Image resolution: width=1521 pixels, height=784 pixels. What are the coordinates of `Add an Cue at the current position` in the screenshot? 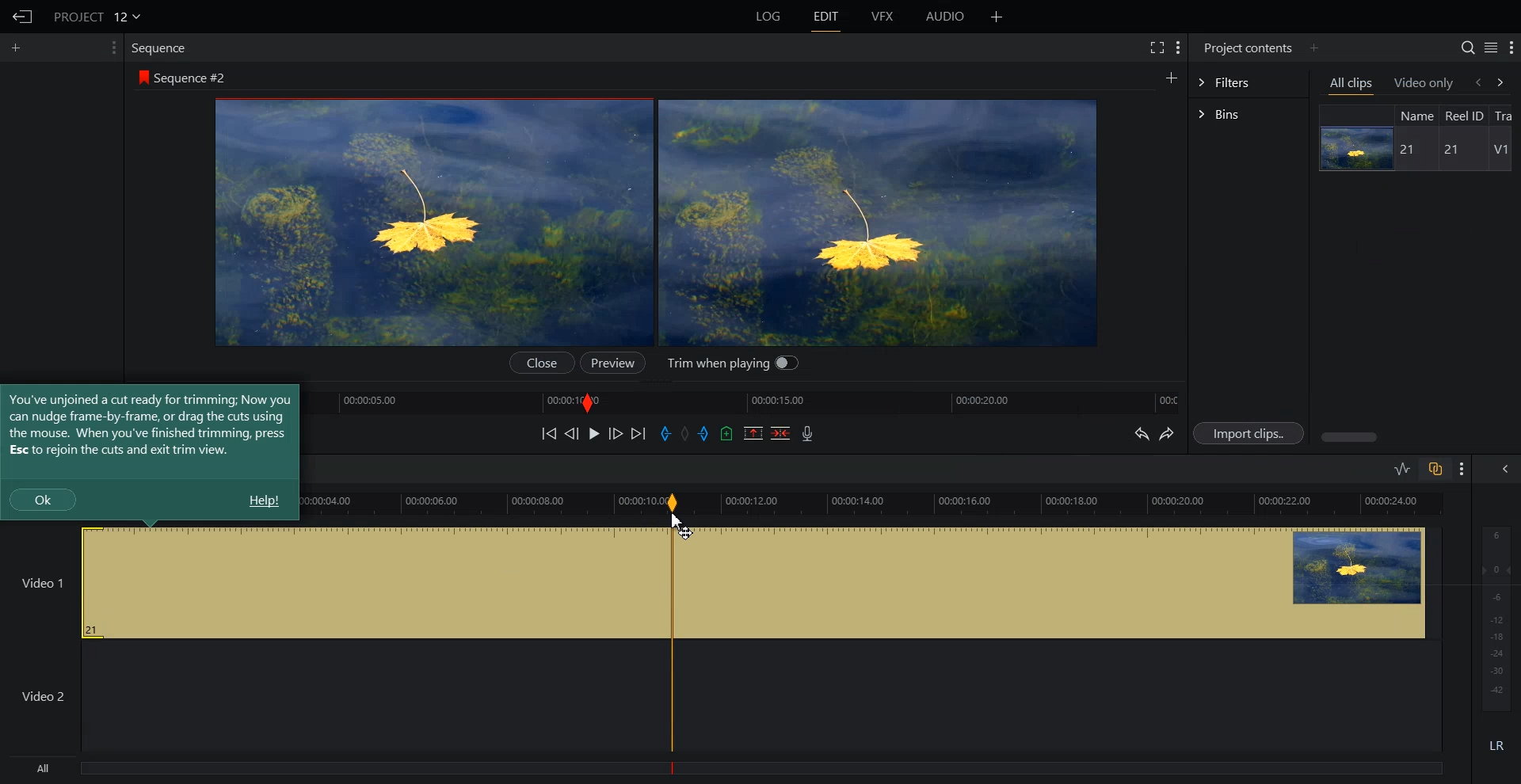 It's located at (726, 433).